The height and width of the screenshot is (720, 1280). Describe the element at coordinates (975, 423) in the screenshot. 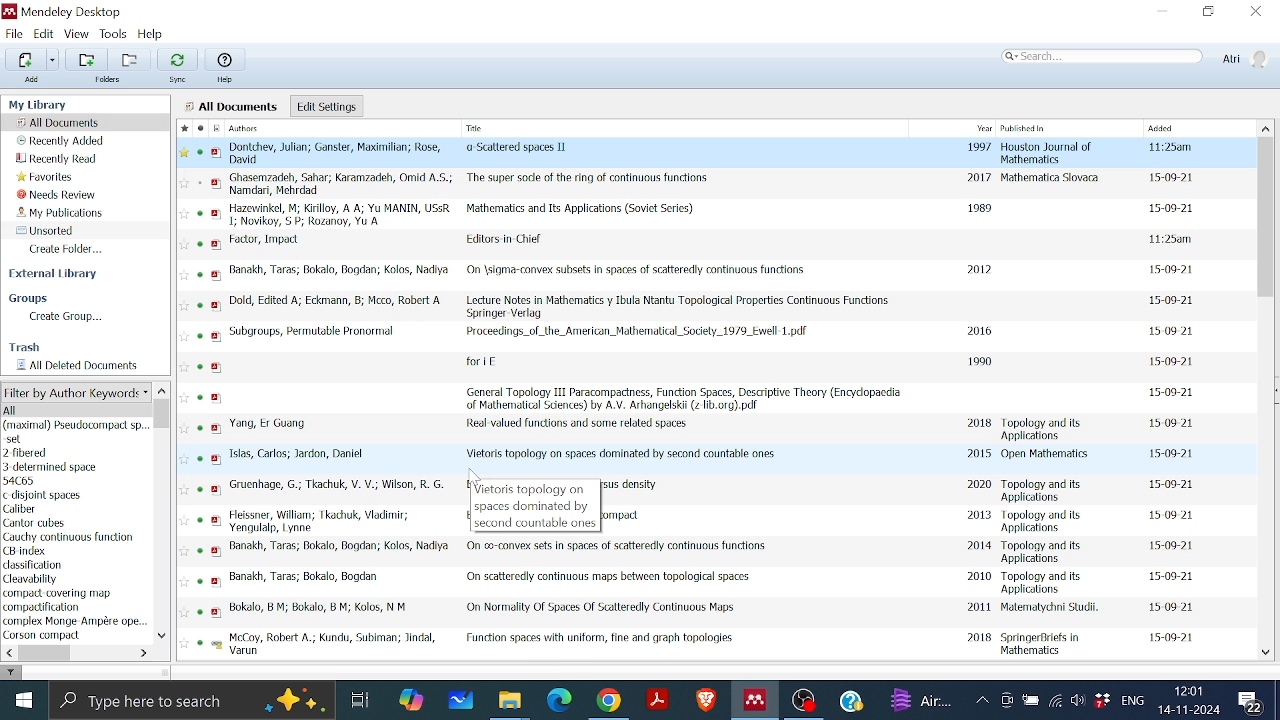

I see `2018` at that location.